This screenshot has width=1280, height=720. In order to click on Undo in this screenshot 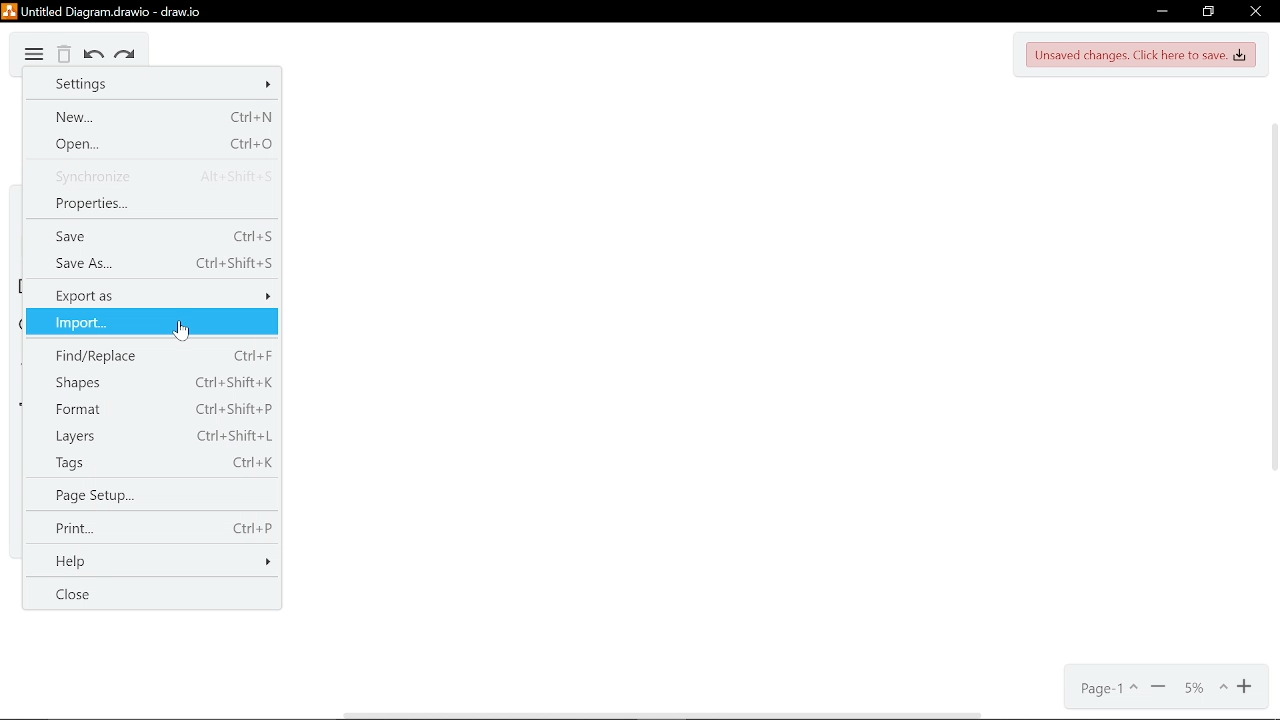, I will do `click(96, 54)`.